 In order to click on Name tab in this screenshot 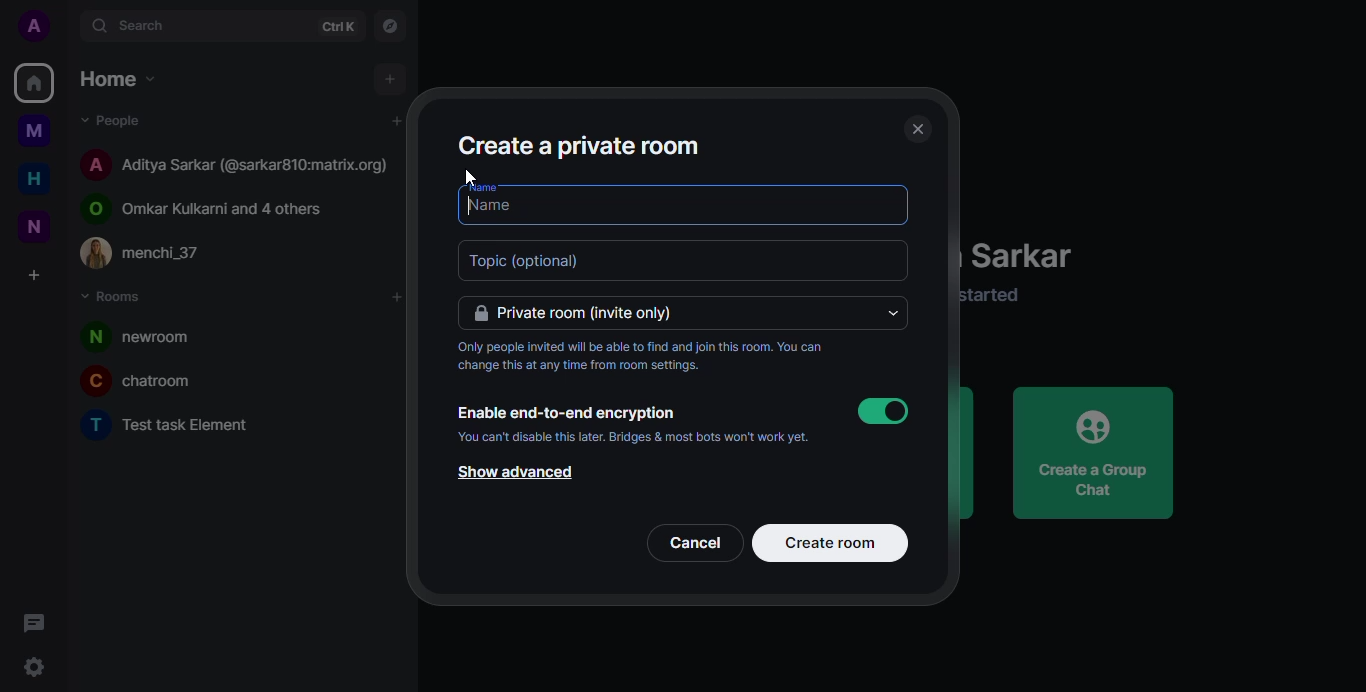, I will do `click(522, 208)`.